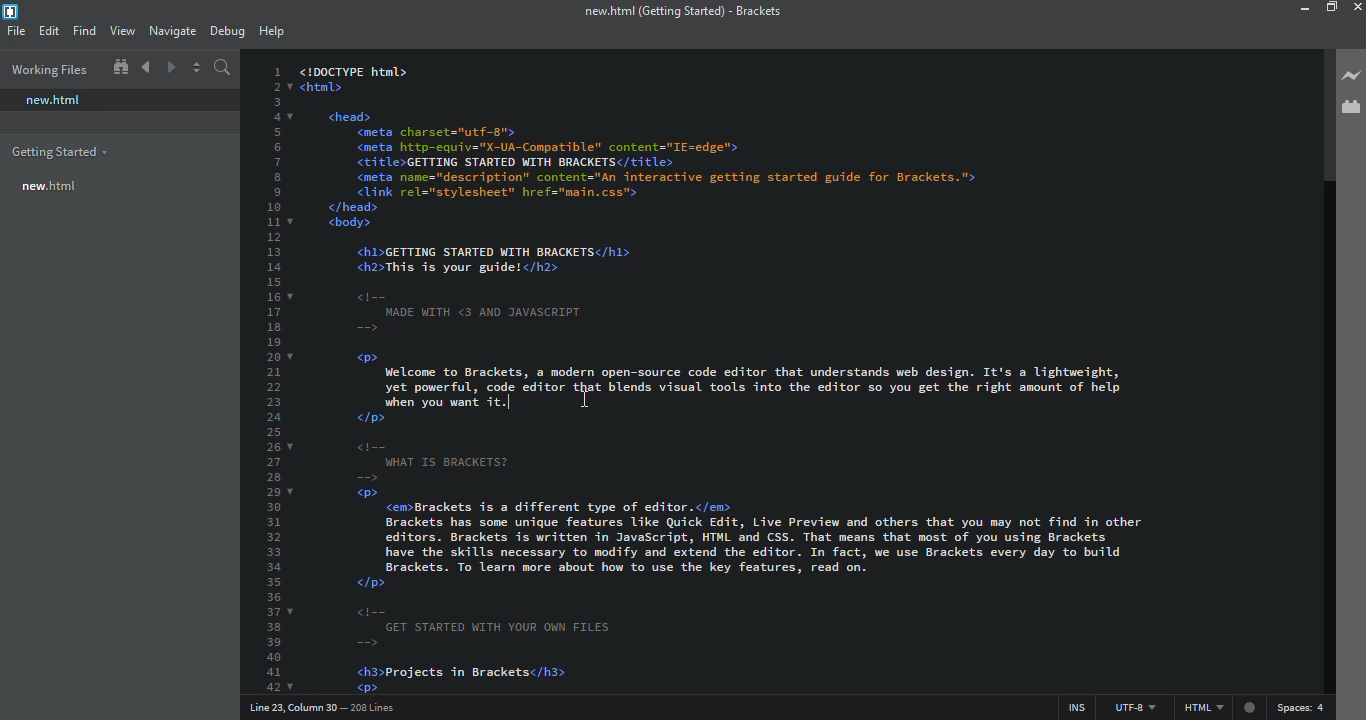 This screenshot has height=720, width=1366. Describe the element at coordinates (1293, 8) in the screenshot. I see `minimize` at that location.